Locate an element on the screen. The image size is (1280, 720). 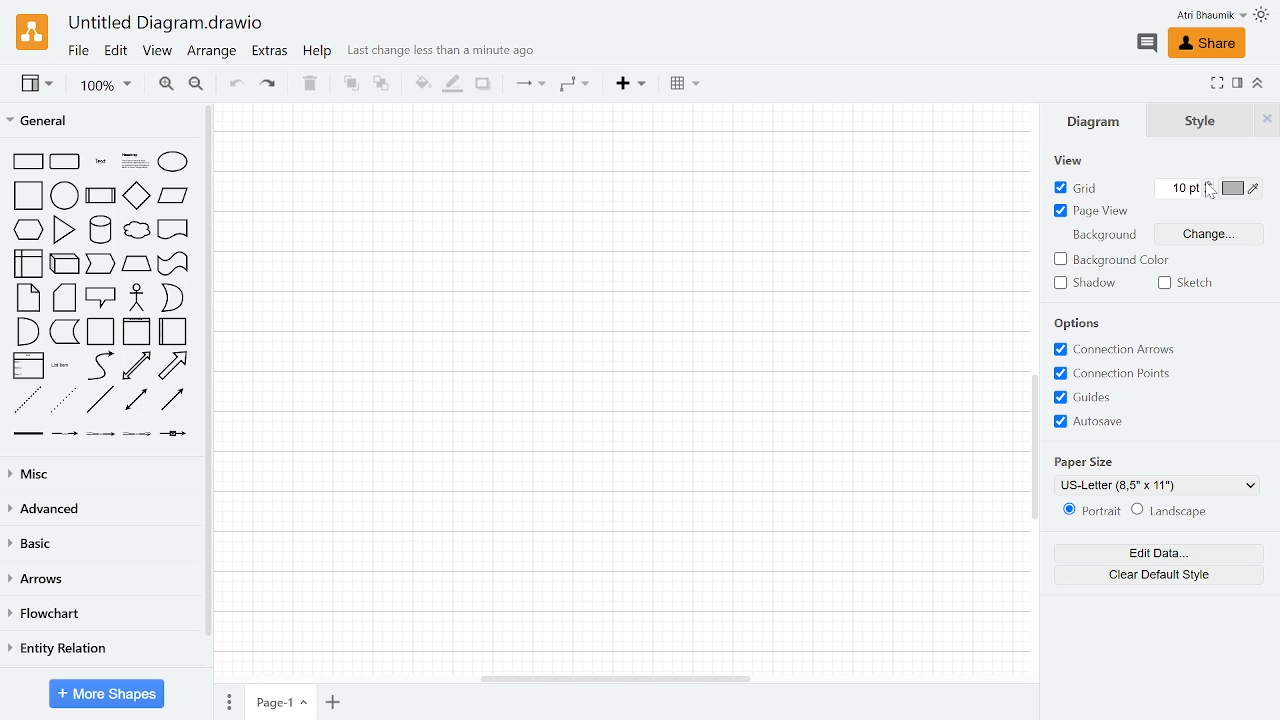
Add page is located at coordinates (332, 703).